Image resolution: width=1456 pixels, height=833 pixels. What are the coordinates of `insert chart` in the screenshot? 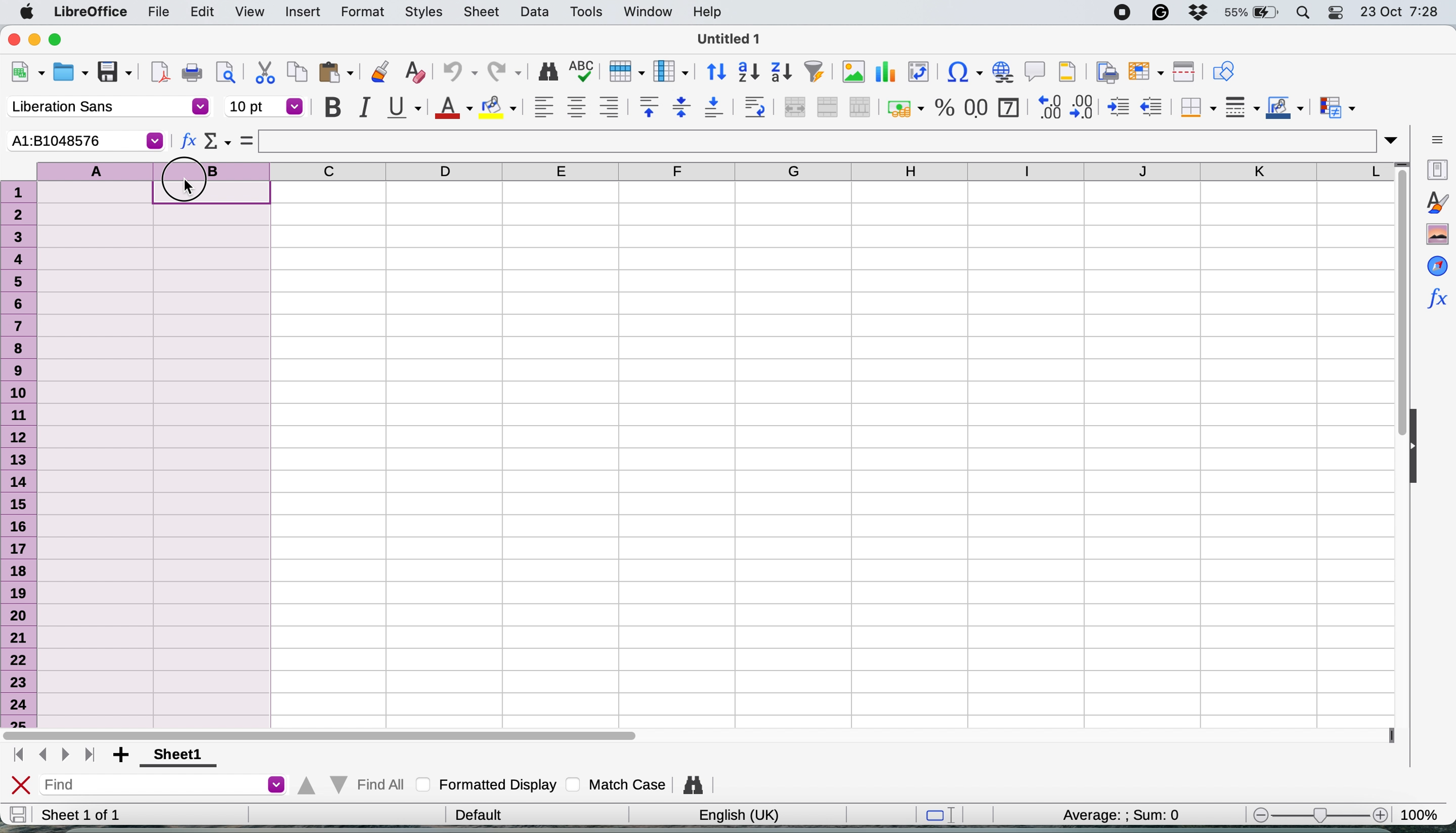 It's located at (887, 72).